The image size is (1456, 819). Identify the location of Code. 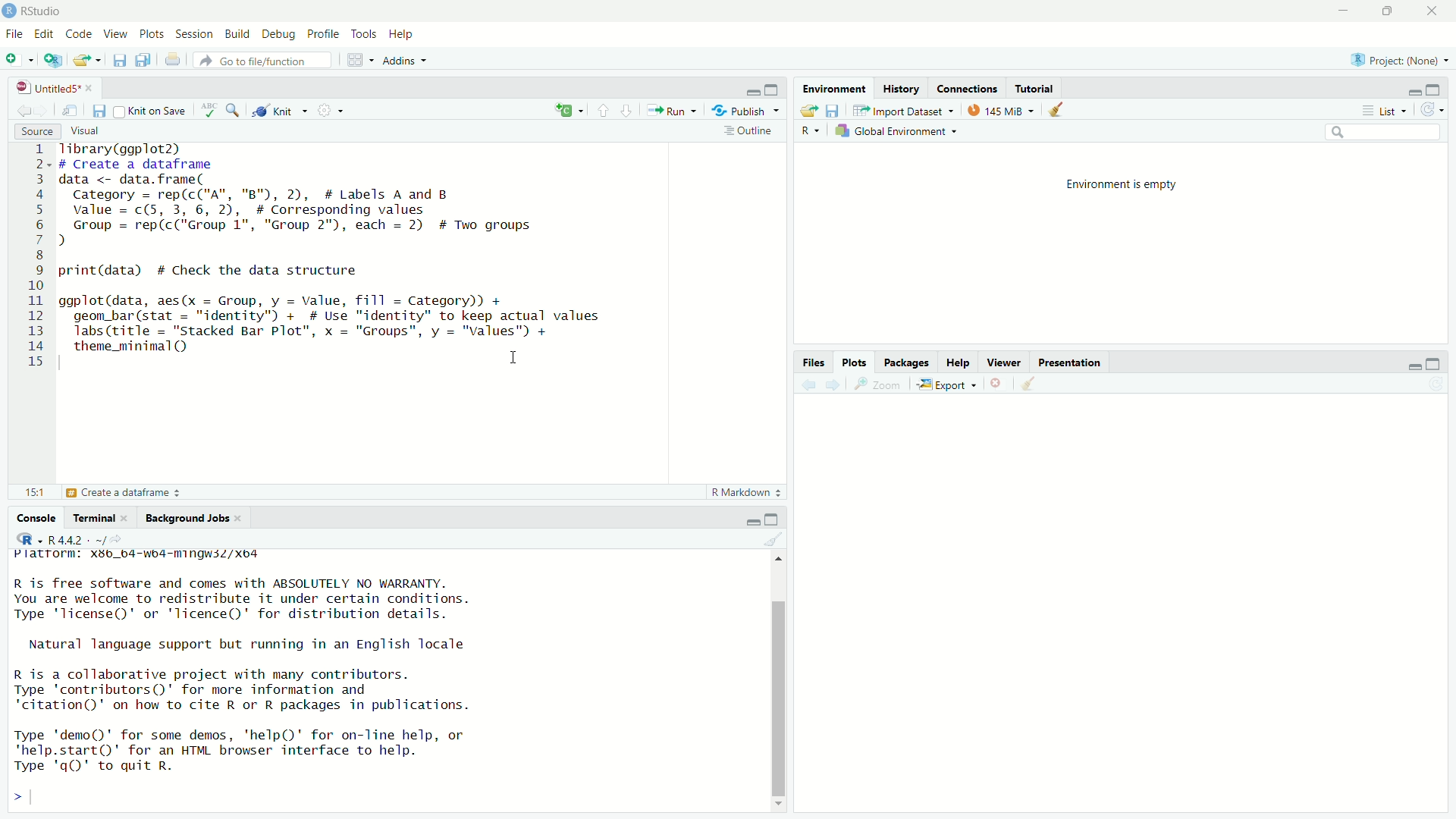
(80, 33).